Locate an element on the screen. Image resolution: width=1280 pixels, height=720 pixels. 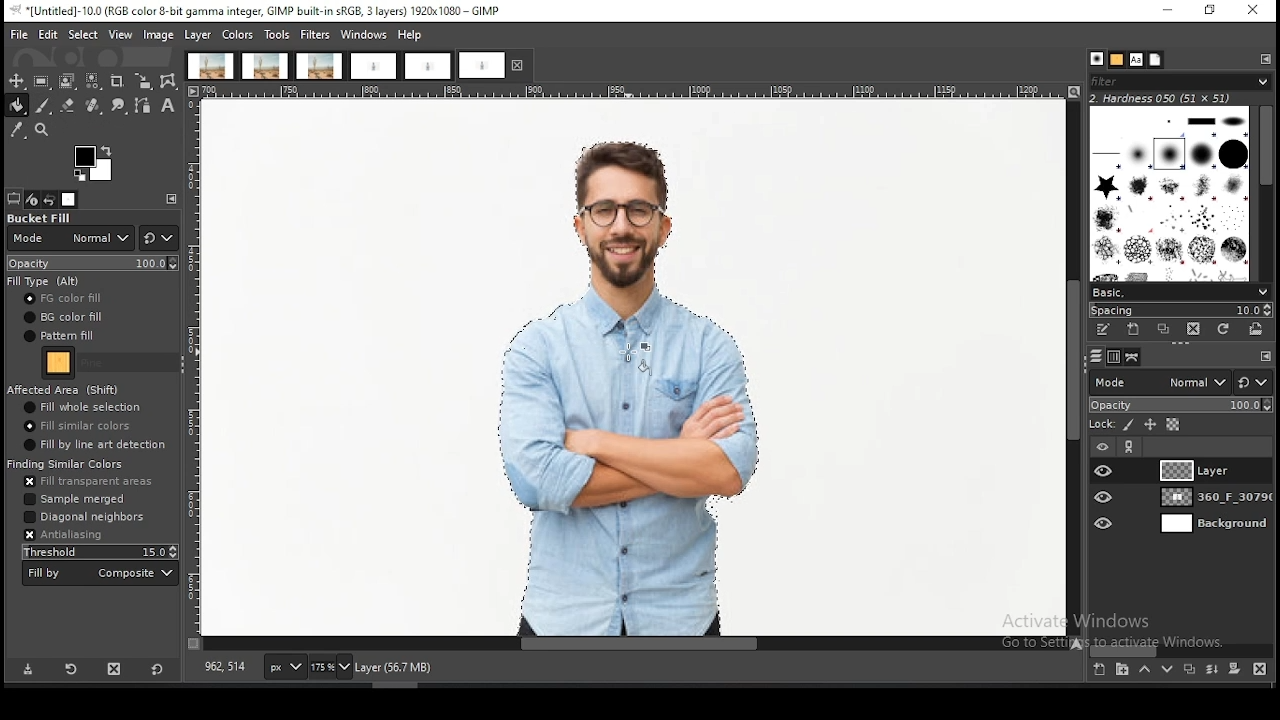
pattern fill is located at coordinates (58, 336).